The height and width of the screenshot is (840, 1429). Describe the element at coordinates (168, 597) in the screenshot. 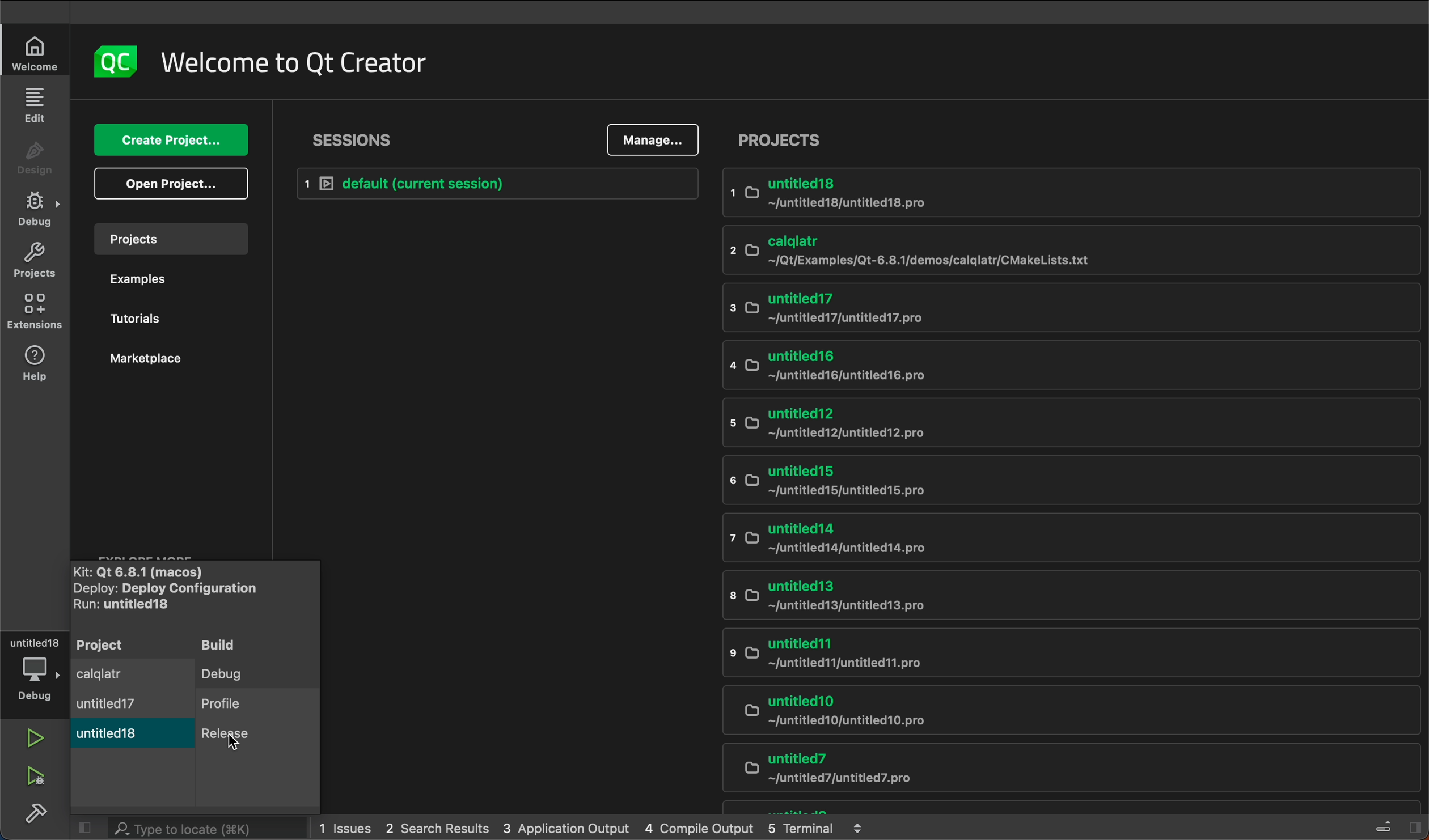

I see `deploy and run` at that location.